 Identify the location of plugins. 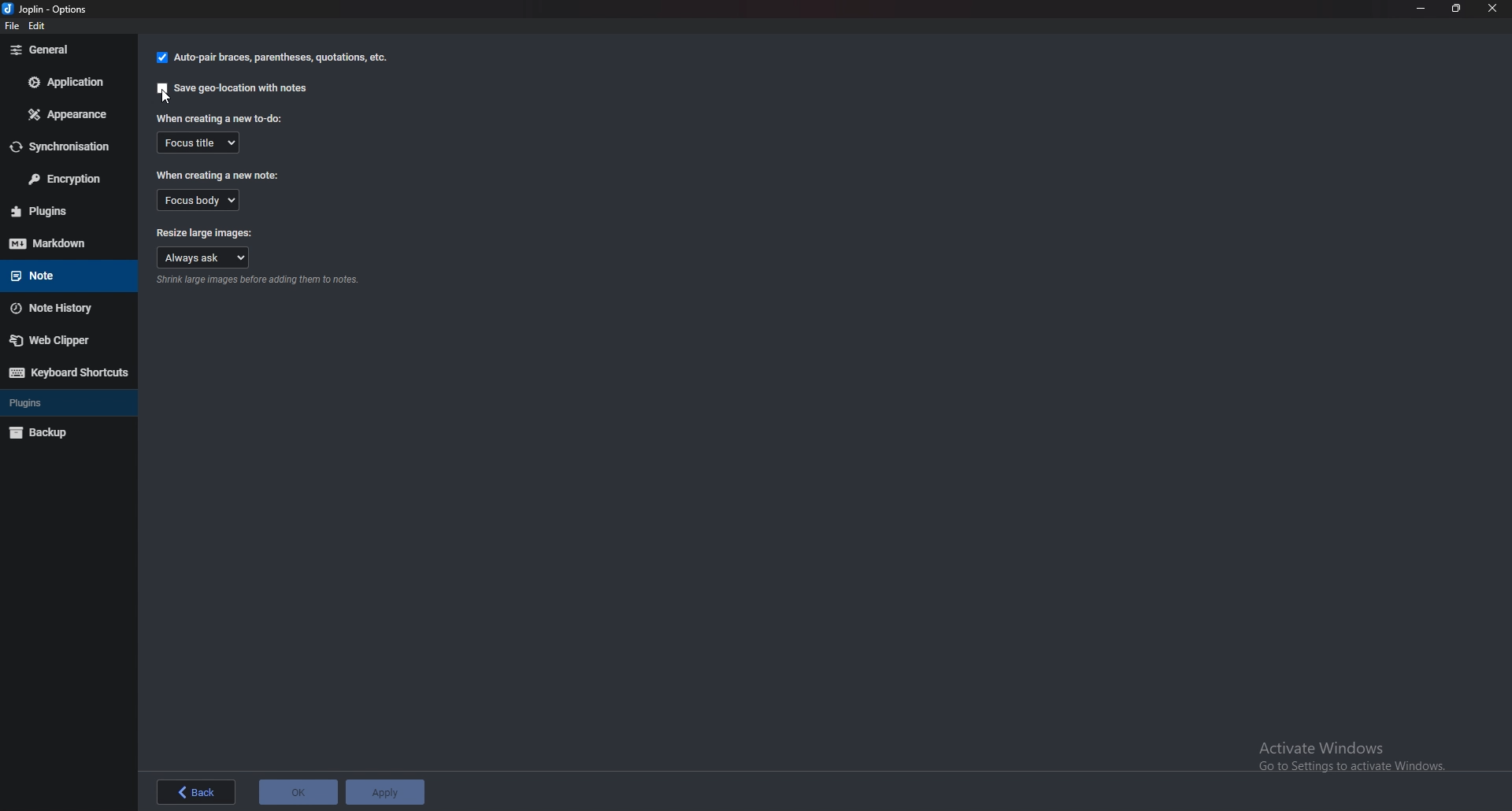
(67, 210).